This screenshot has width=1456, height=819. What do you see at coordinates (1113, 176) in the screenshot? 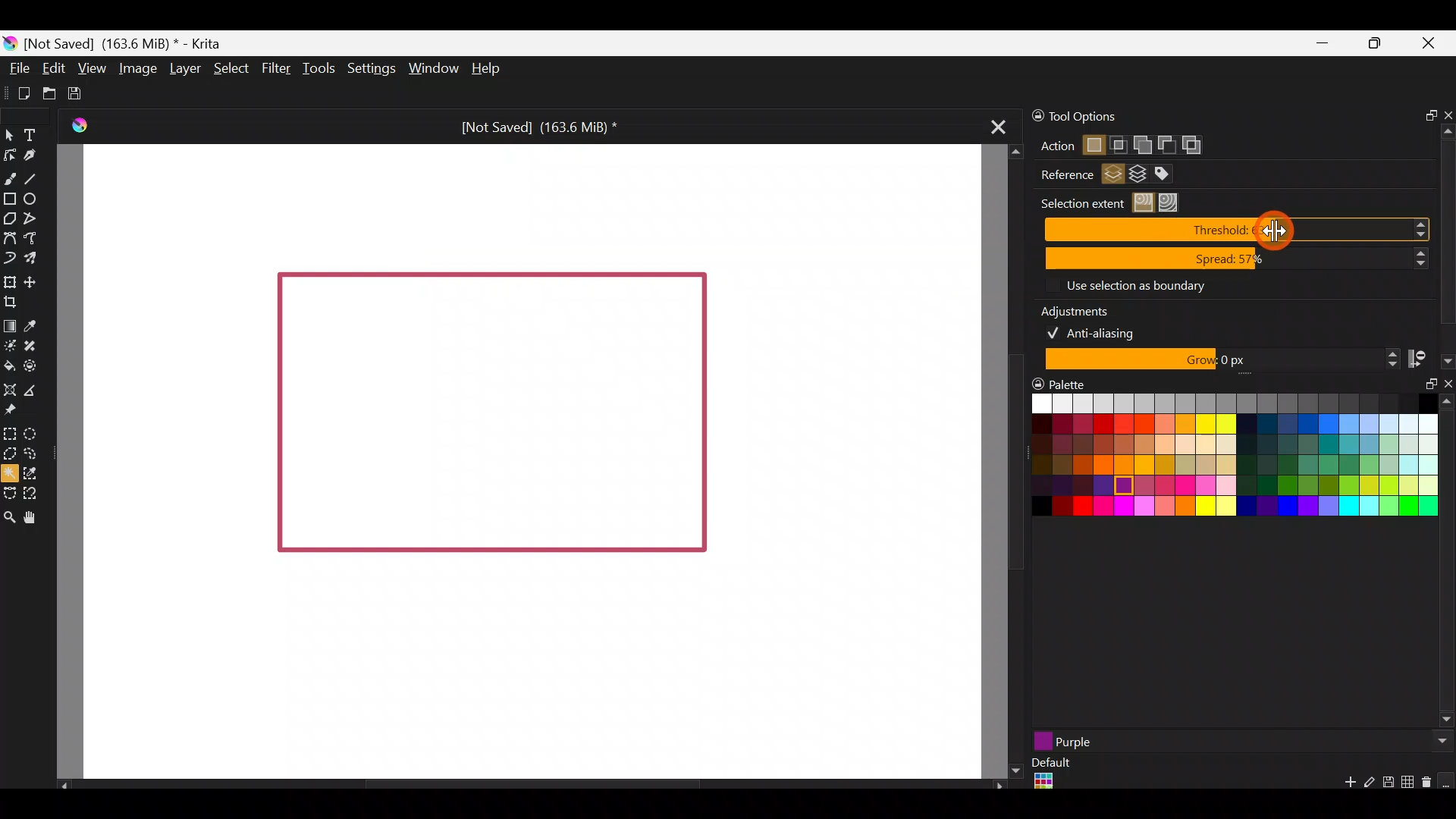
I see `Select regions from active layer` at bounding box center [1113, 176].